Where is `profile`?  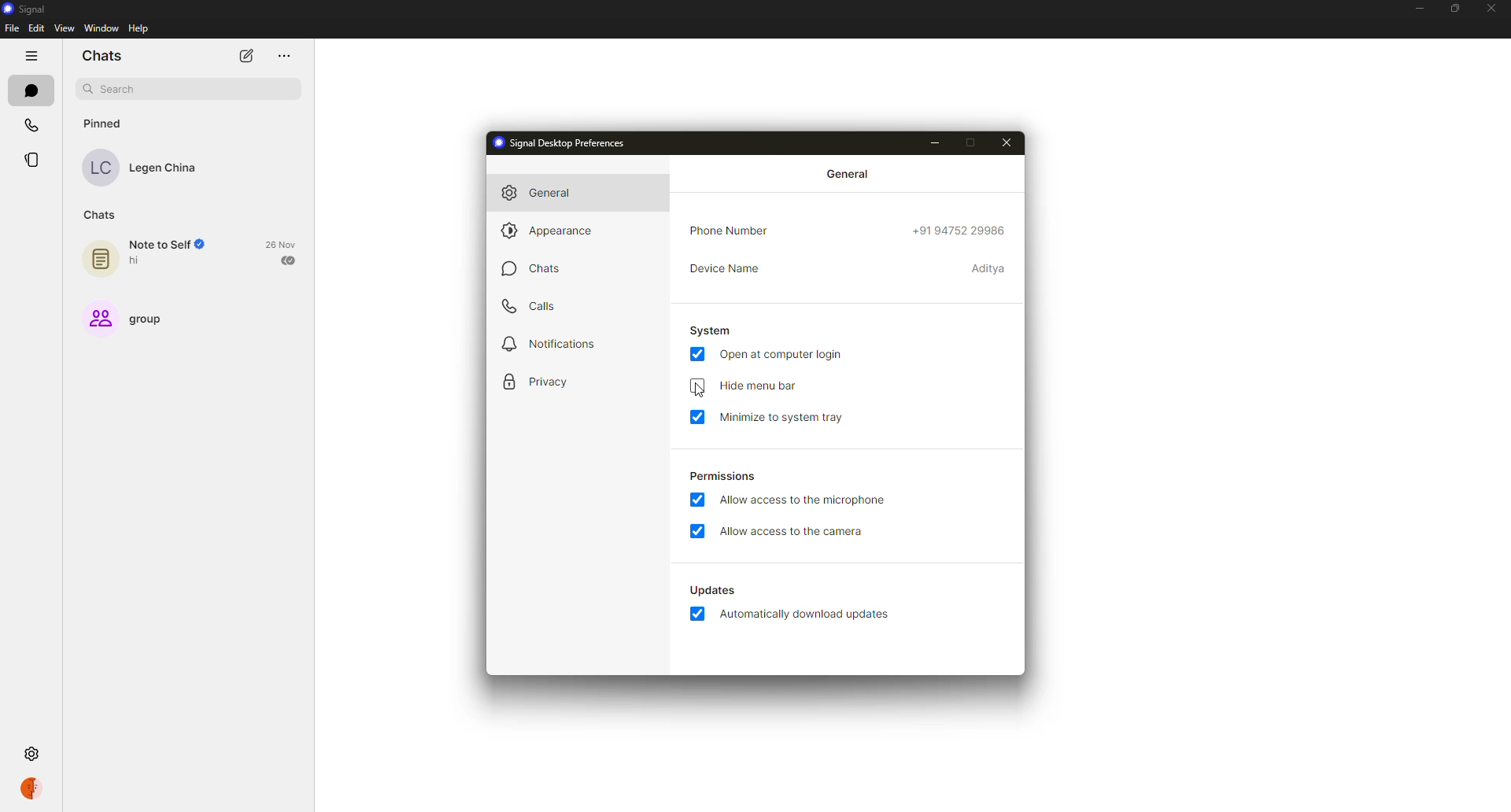 profile is located at coordinates (36, 789).